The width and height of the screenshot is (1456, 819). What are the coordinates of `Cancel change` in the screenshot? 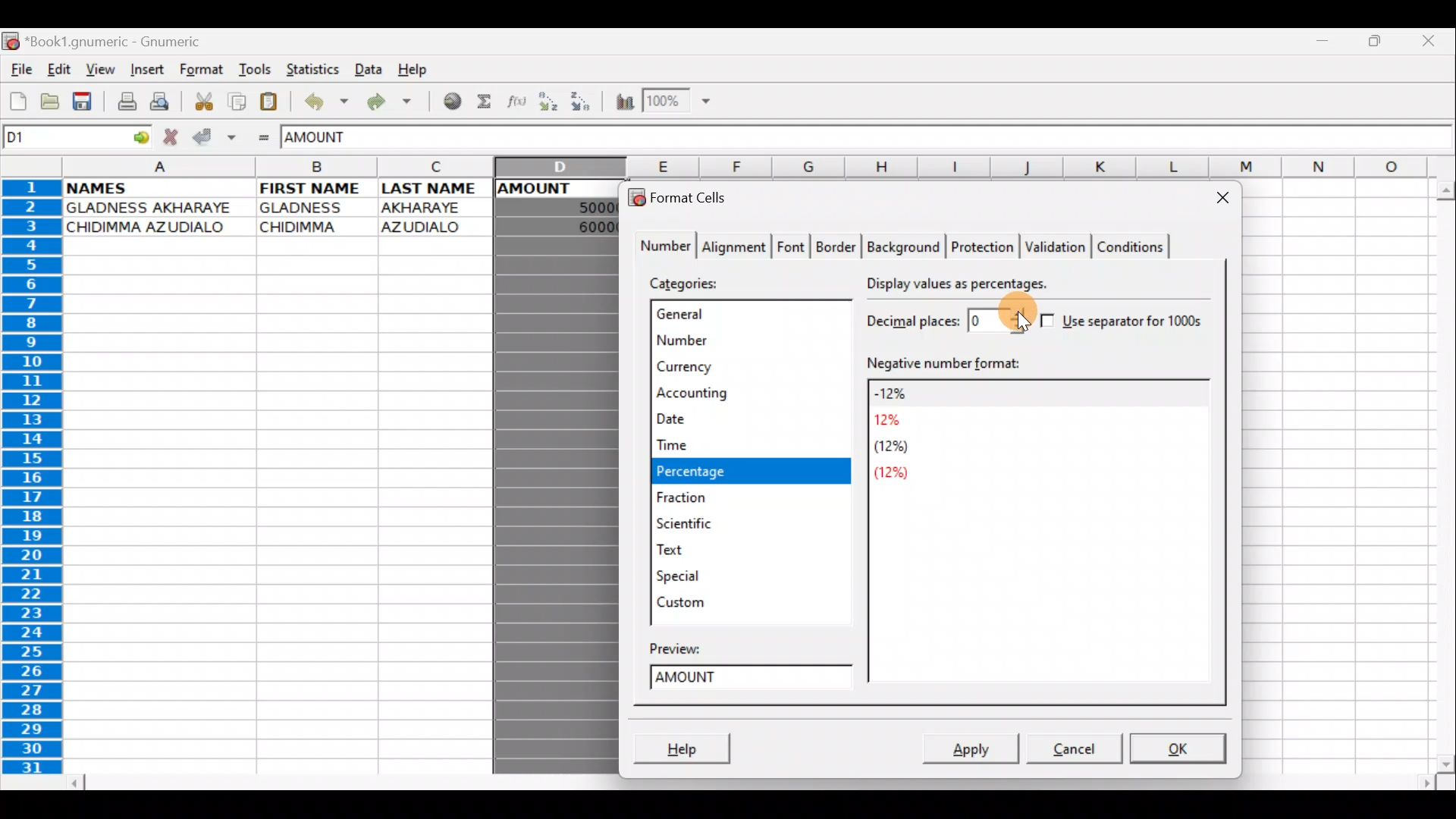 It's located at (173, 136).